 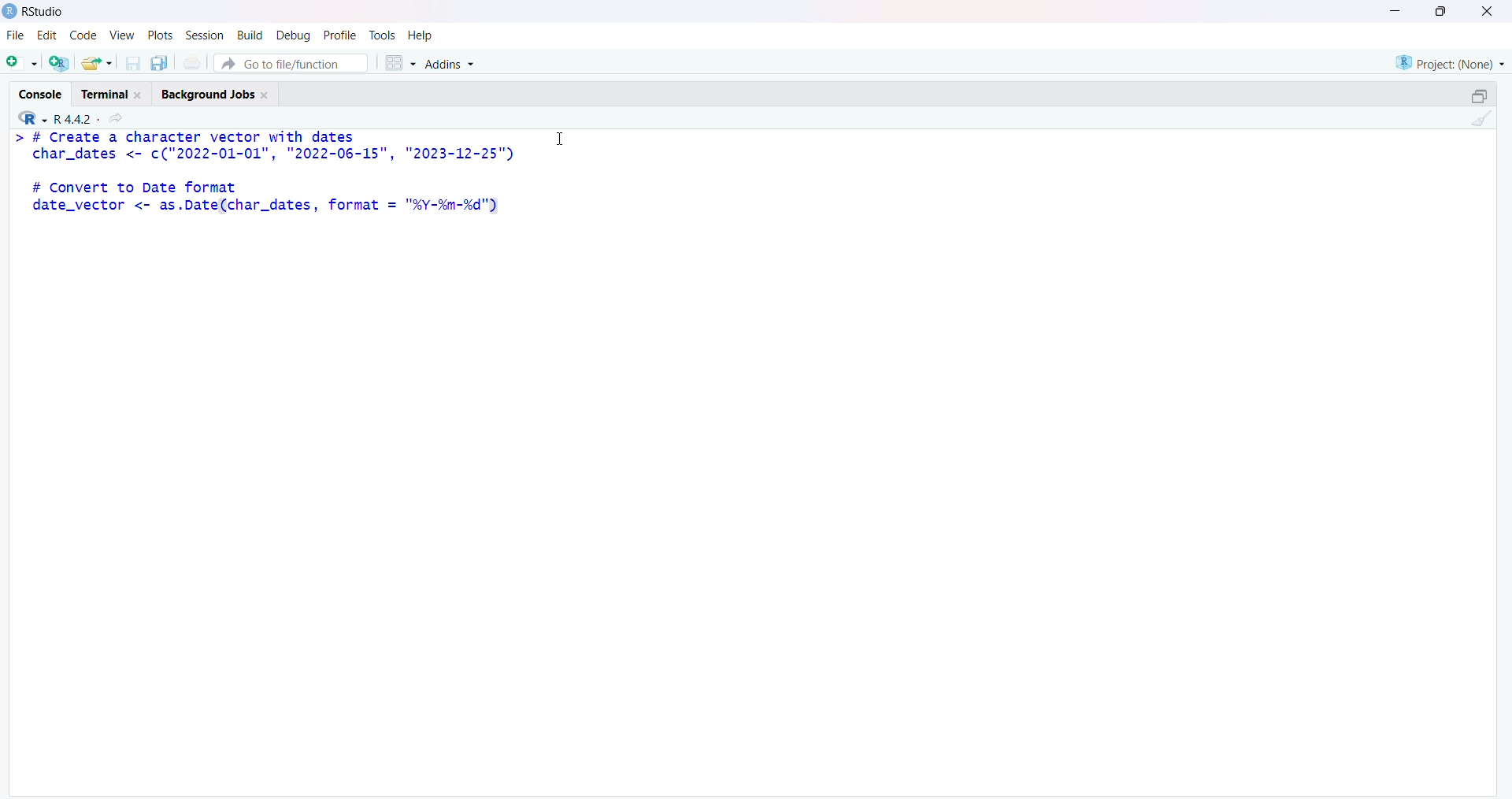 I want to click on Save all open documents (Ctrl + Alt + S), so click(x=164, y=61).